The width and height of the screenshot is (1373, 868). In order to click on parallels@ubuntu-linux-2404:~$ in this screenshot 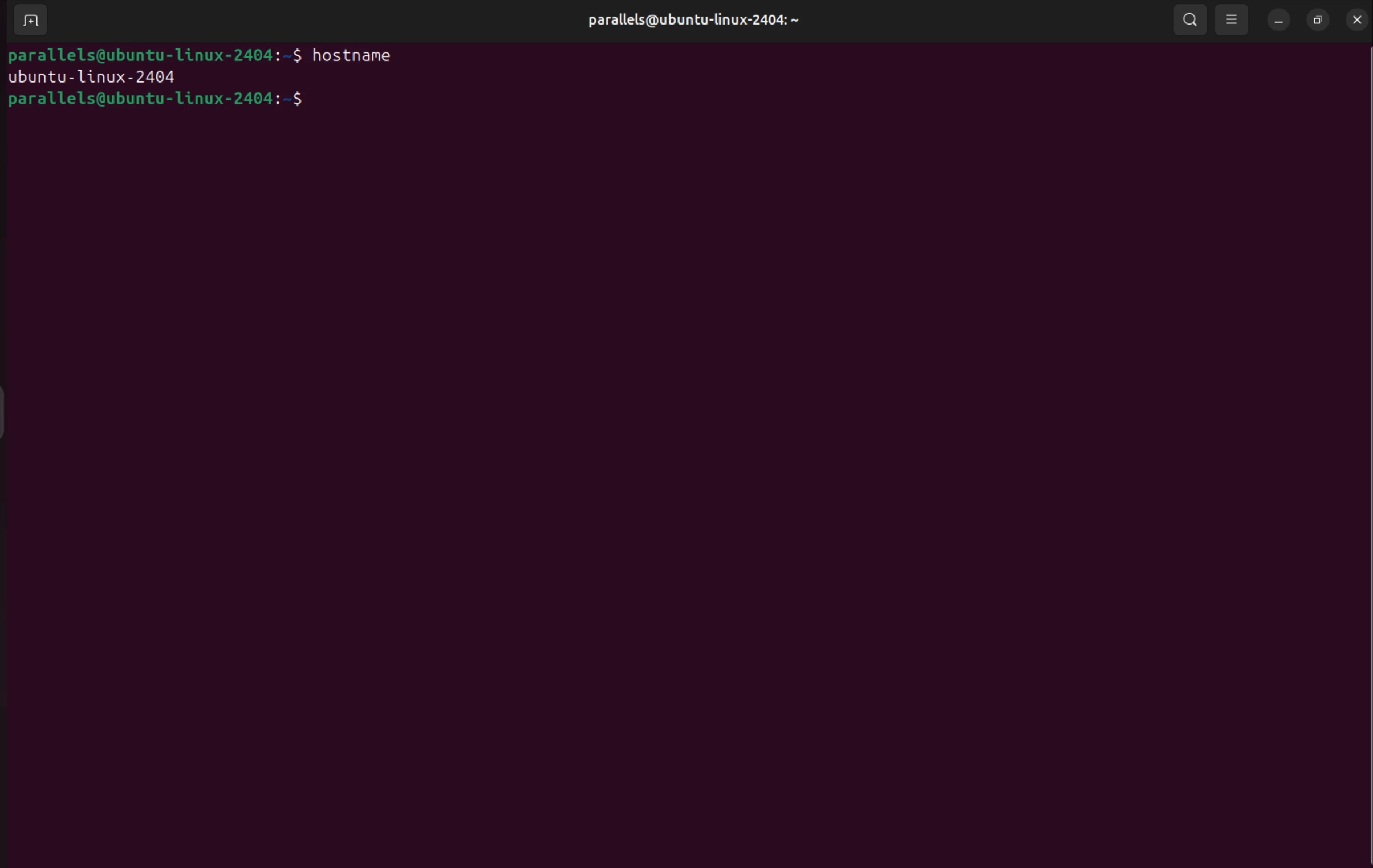, I will do `click(156, 101)`.